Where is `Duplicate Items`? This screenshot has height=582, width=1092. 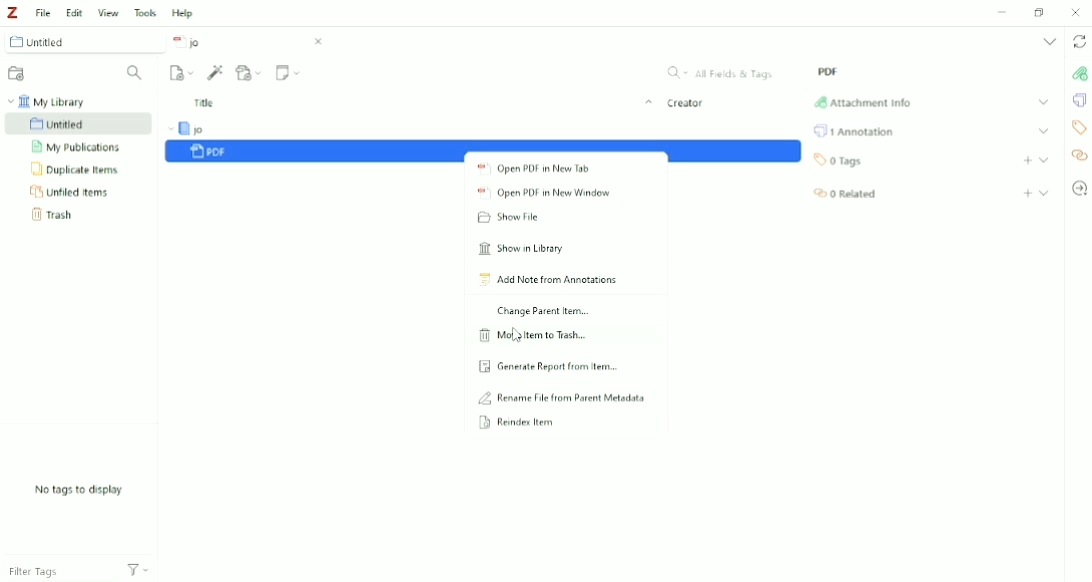 Duplicate Items is located at coordinates (76, 169).